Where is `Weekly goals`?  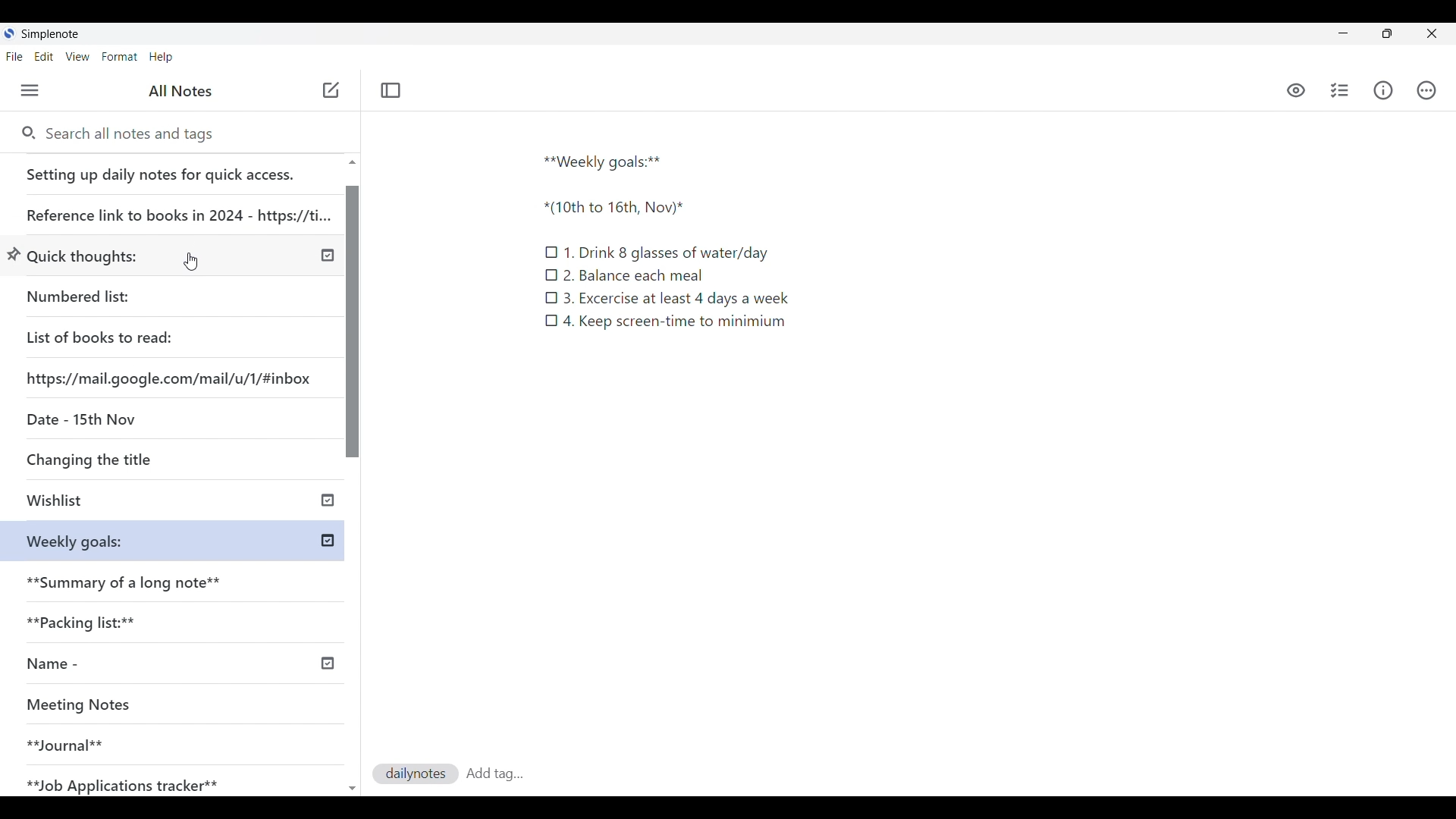
Weekly goals is located at coordinates (74, 540).